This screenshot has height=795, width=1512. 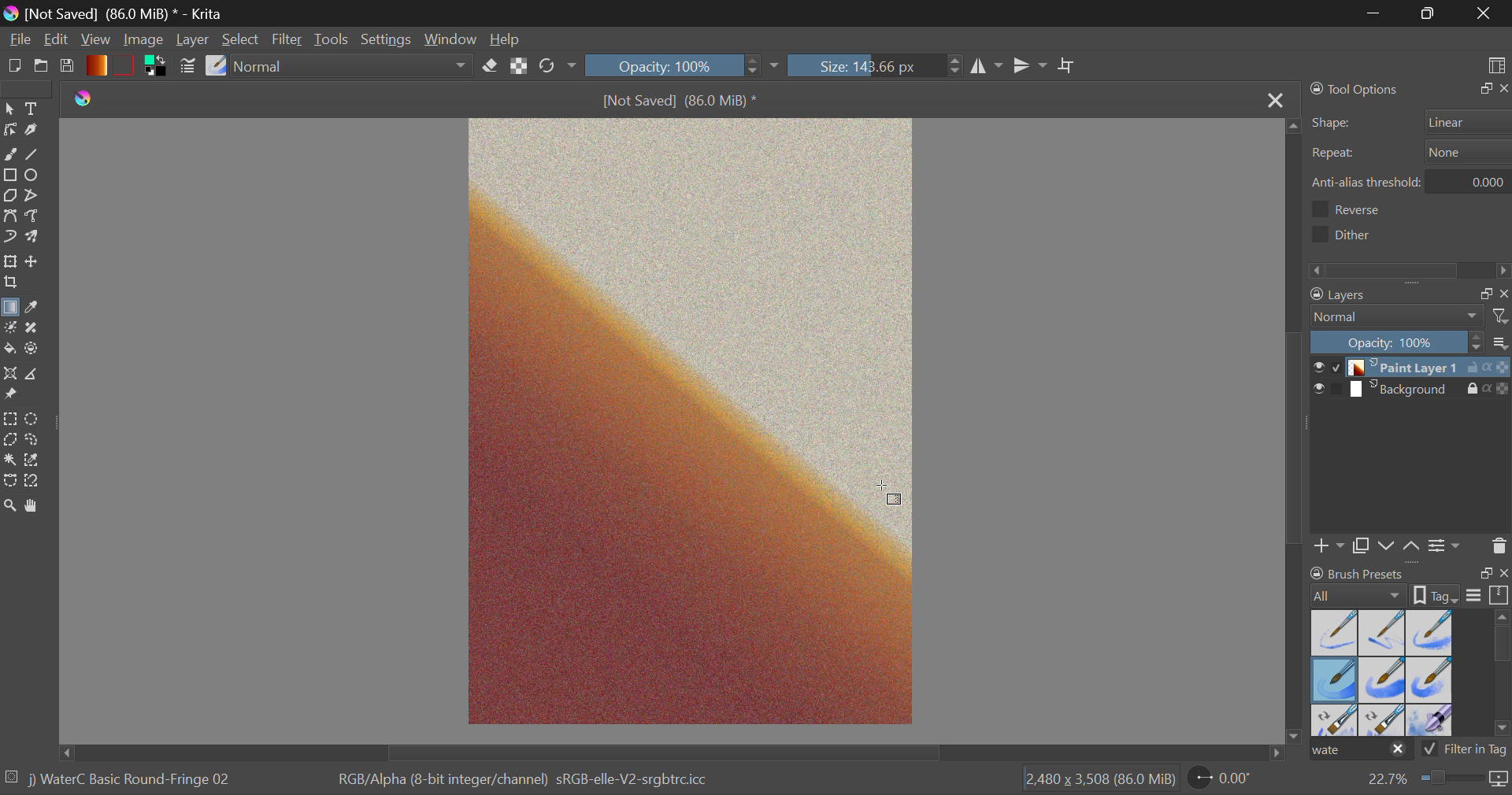 I want to click on shape:, so click(x=1333, y=124).